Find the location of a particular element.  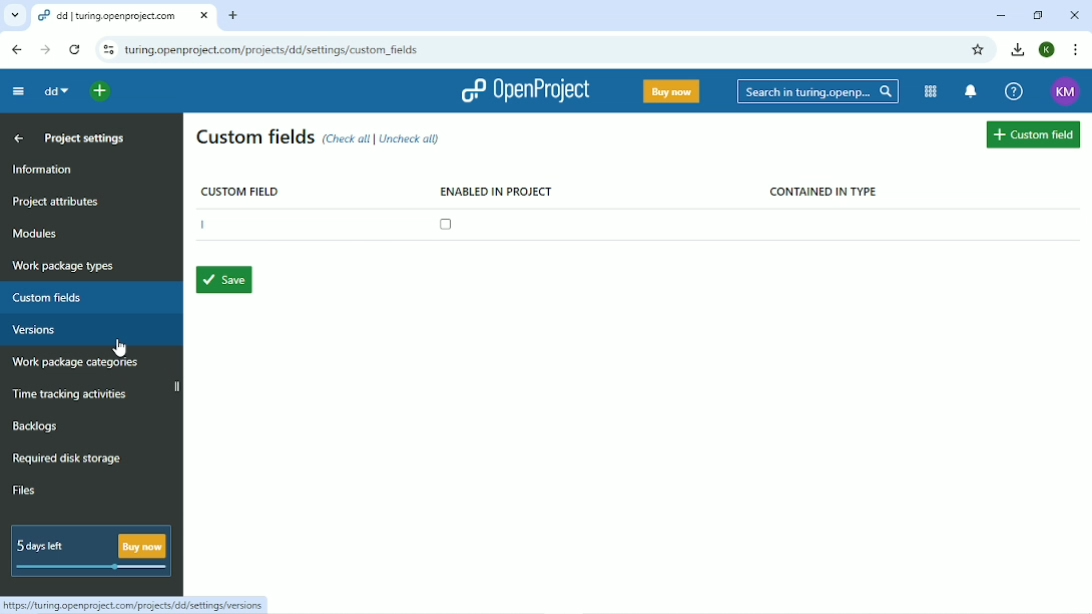

Files is located at coordinates (24, 489).